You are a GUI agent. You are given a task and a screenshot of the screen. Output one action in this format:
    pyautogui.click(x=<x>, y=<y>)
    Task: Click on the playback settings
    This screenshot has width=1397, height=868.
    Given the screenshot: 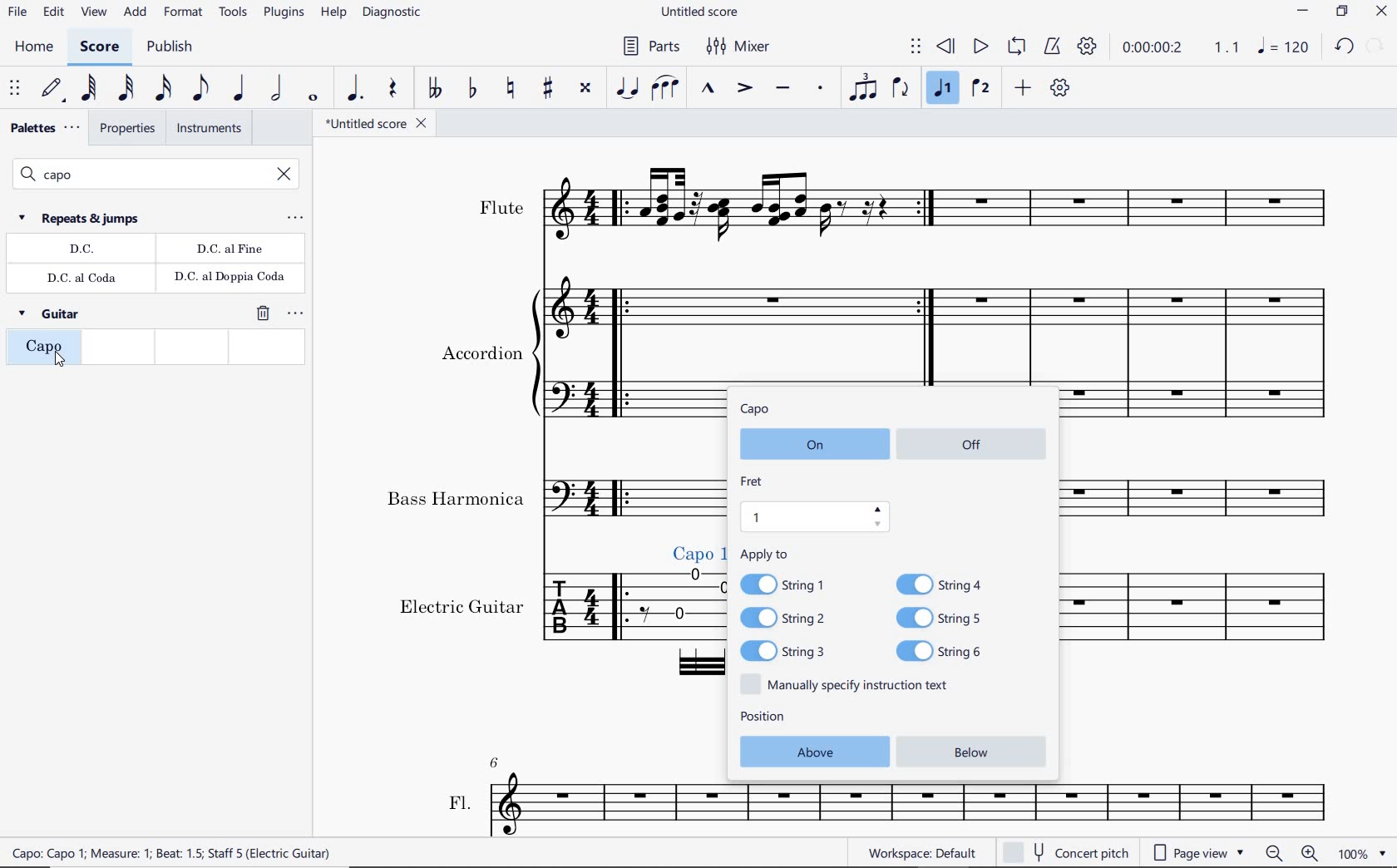 What is the action you would take?
    pyautogui.click(x=1086, y=47)
    